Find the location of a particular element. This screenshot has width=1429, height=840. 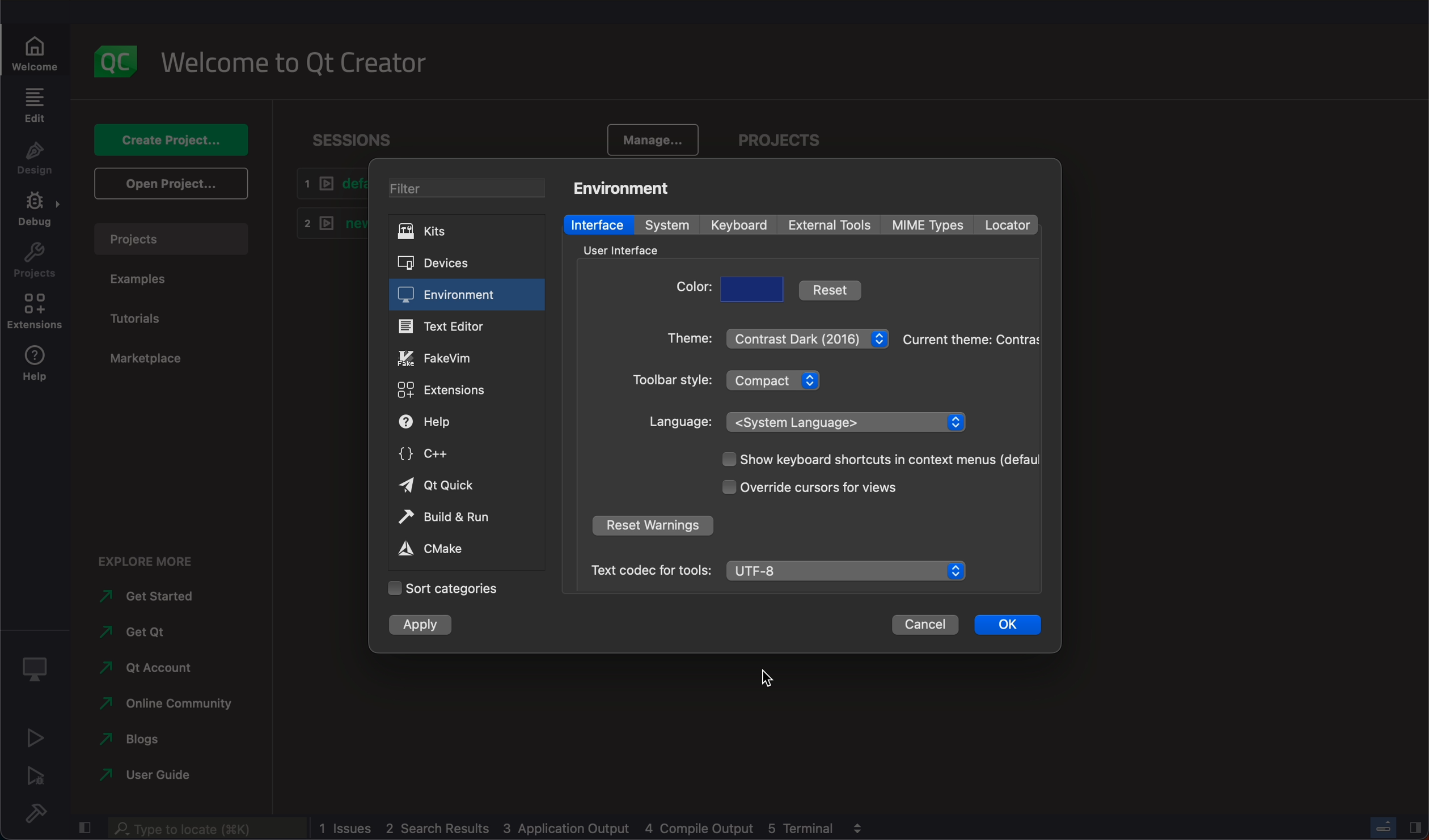

project is located at coordinates (36, 264).